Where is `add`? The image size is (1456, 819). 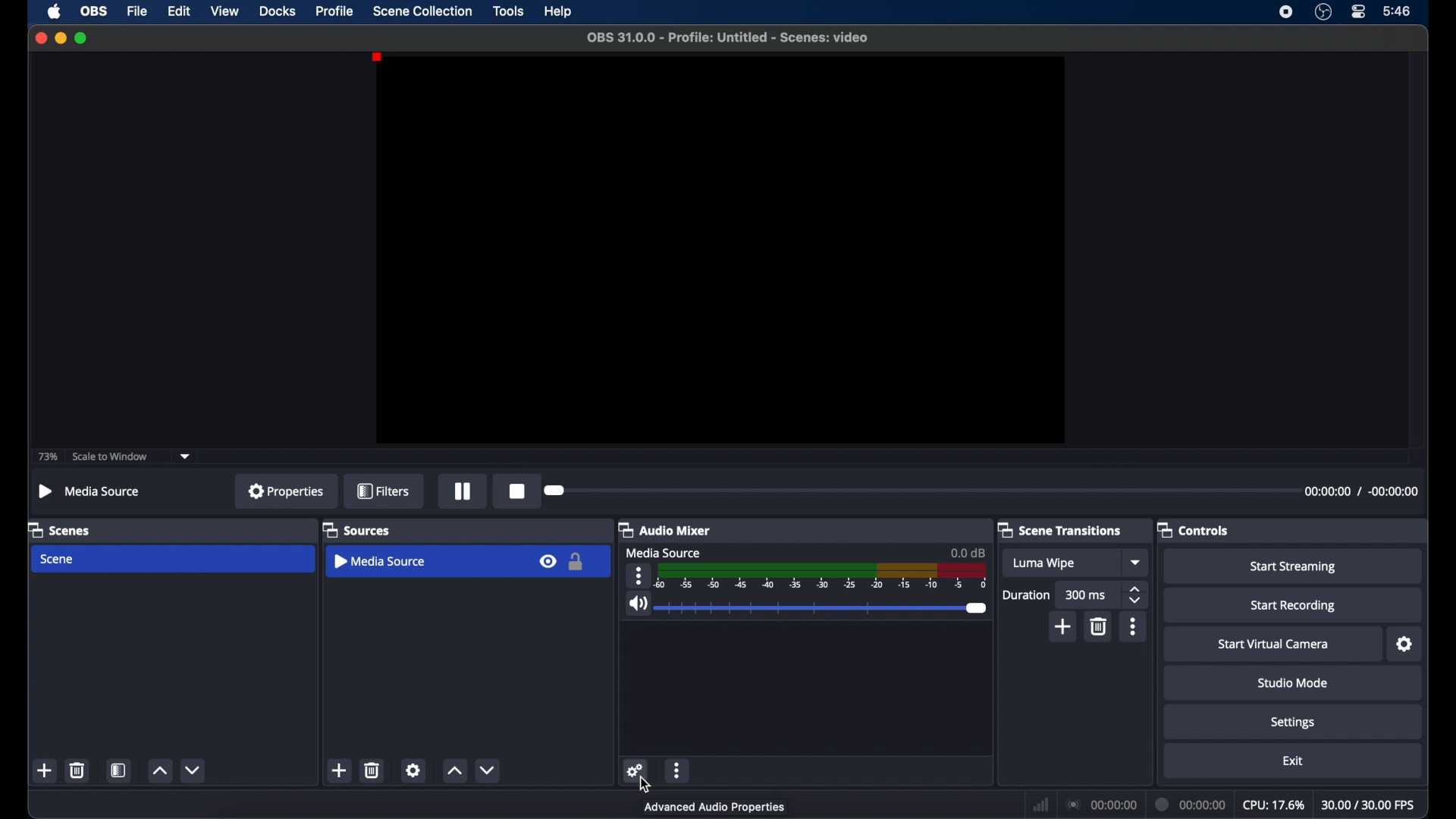 add is located at coordinates (1064, 626).